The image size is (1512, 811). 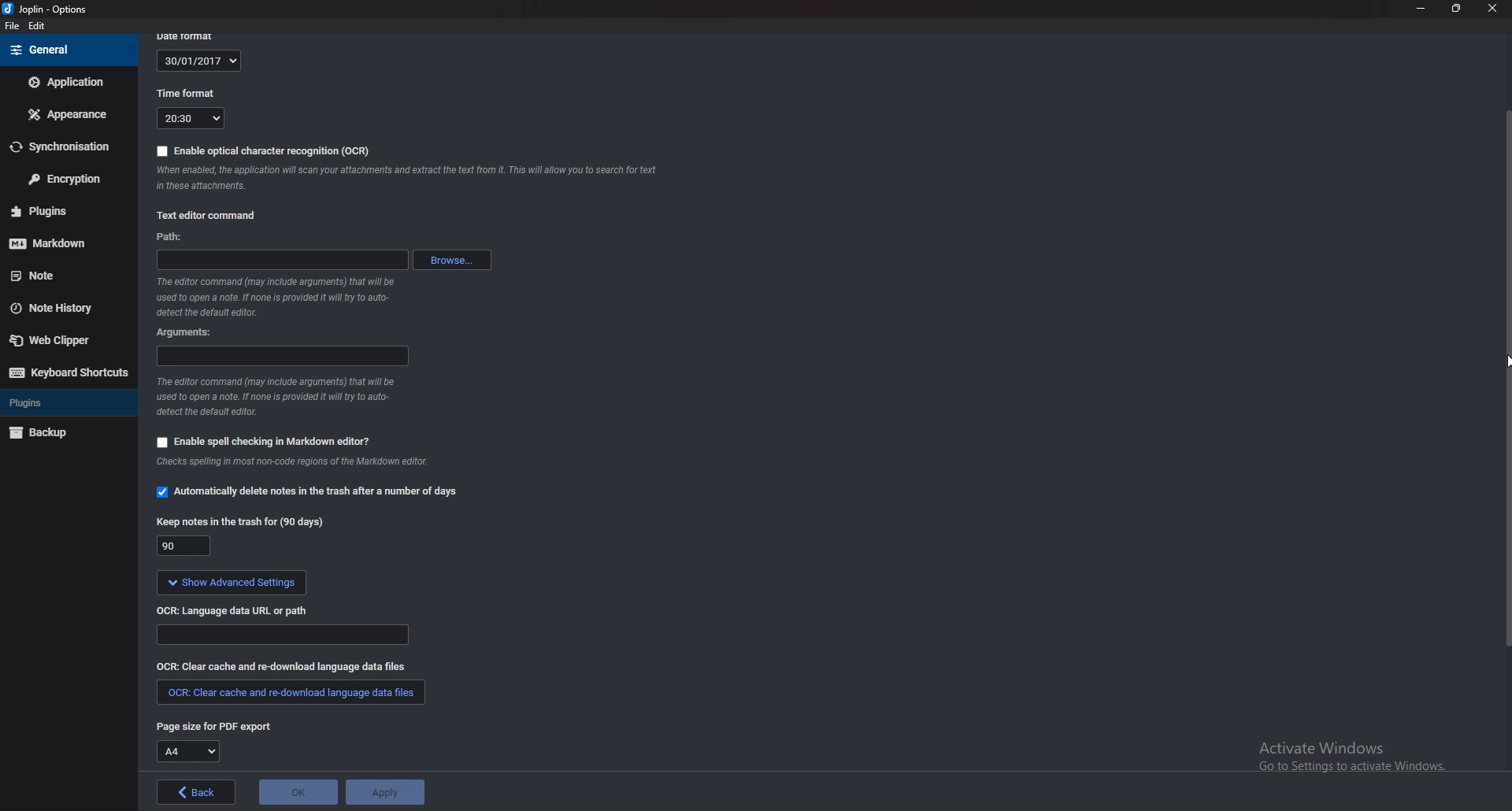 I want to click on page size for pdf export, so click(x=213, y=726).